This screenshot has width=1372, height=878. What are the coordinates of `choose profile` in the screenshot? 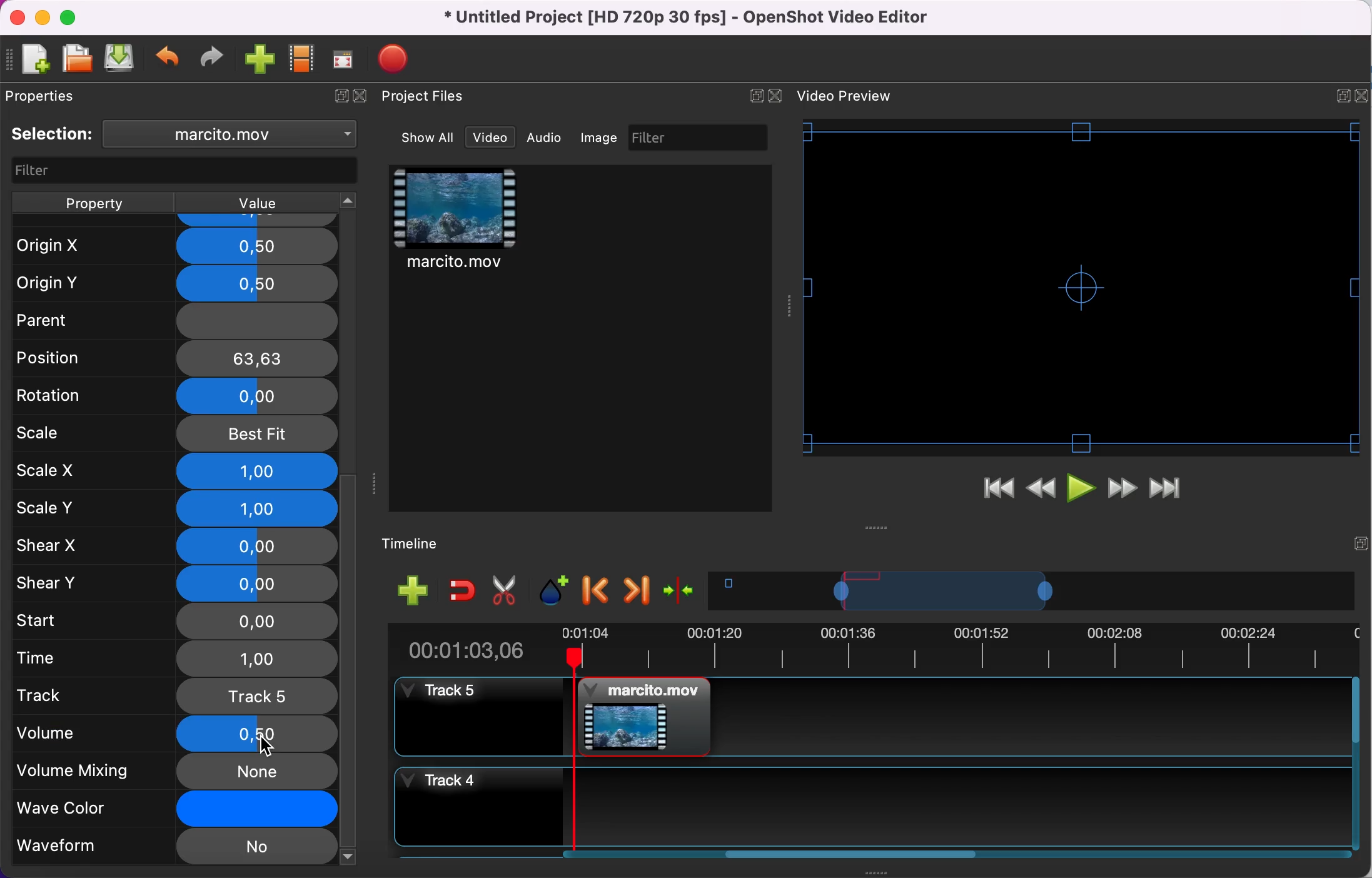 It's located at (303, 59).